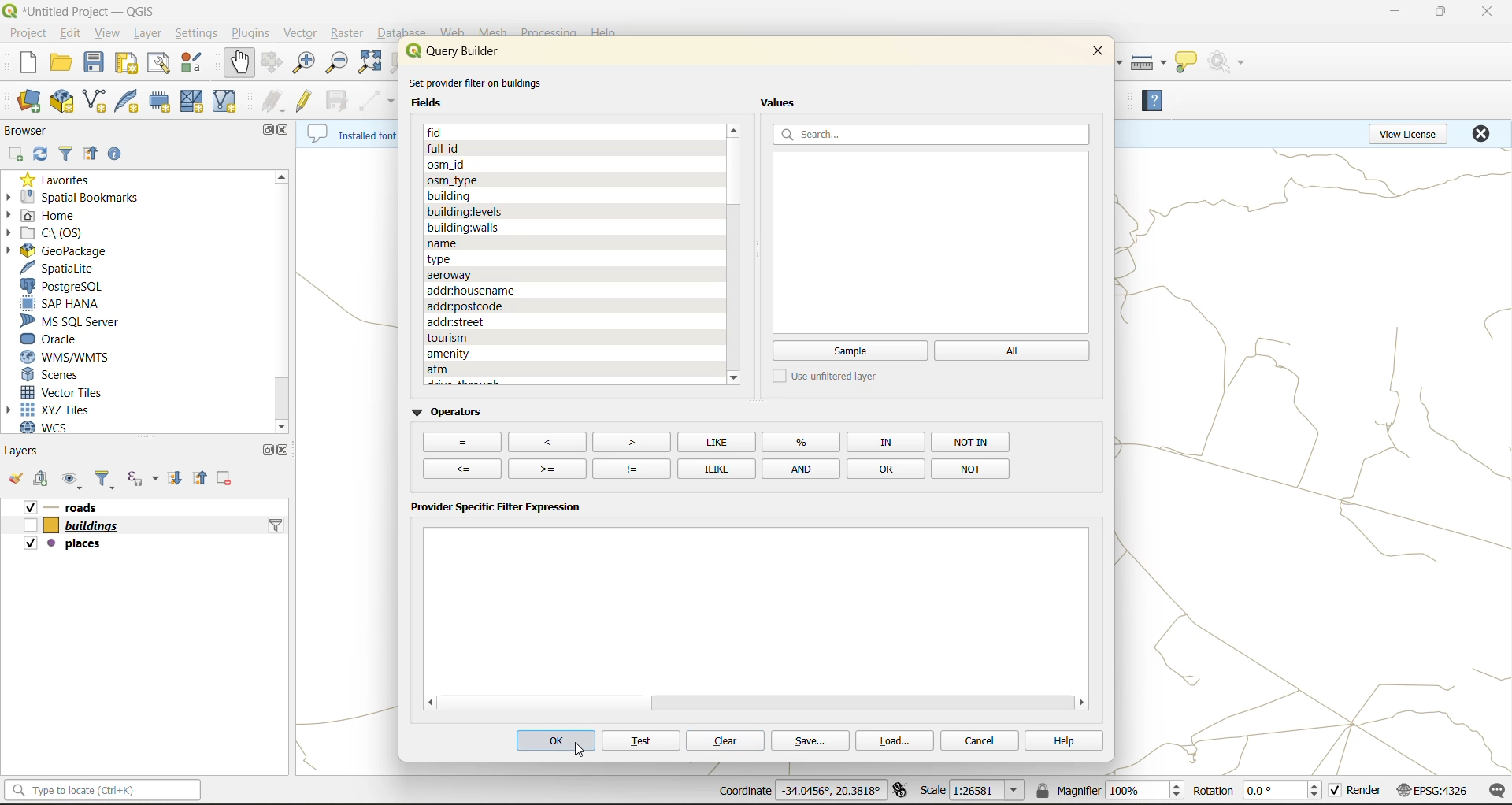 This screenshot has height=805, width=1512. Describe the element at coordinates (447, 412) in the screenshot. I see `operators` at that location.